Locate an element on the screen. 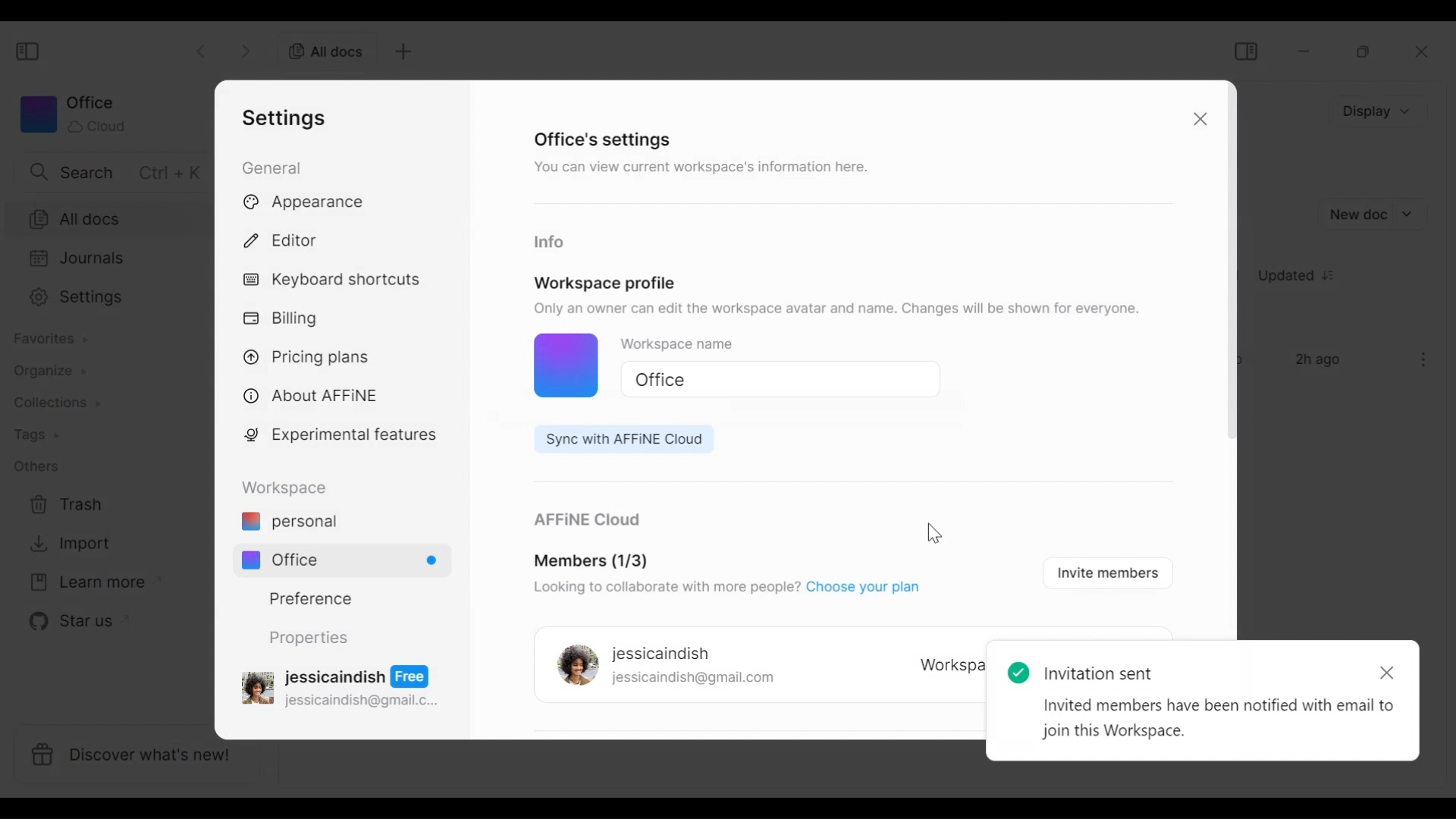  Sync with AFFINE Cloud is located at coordinates (617, 439).